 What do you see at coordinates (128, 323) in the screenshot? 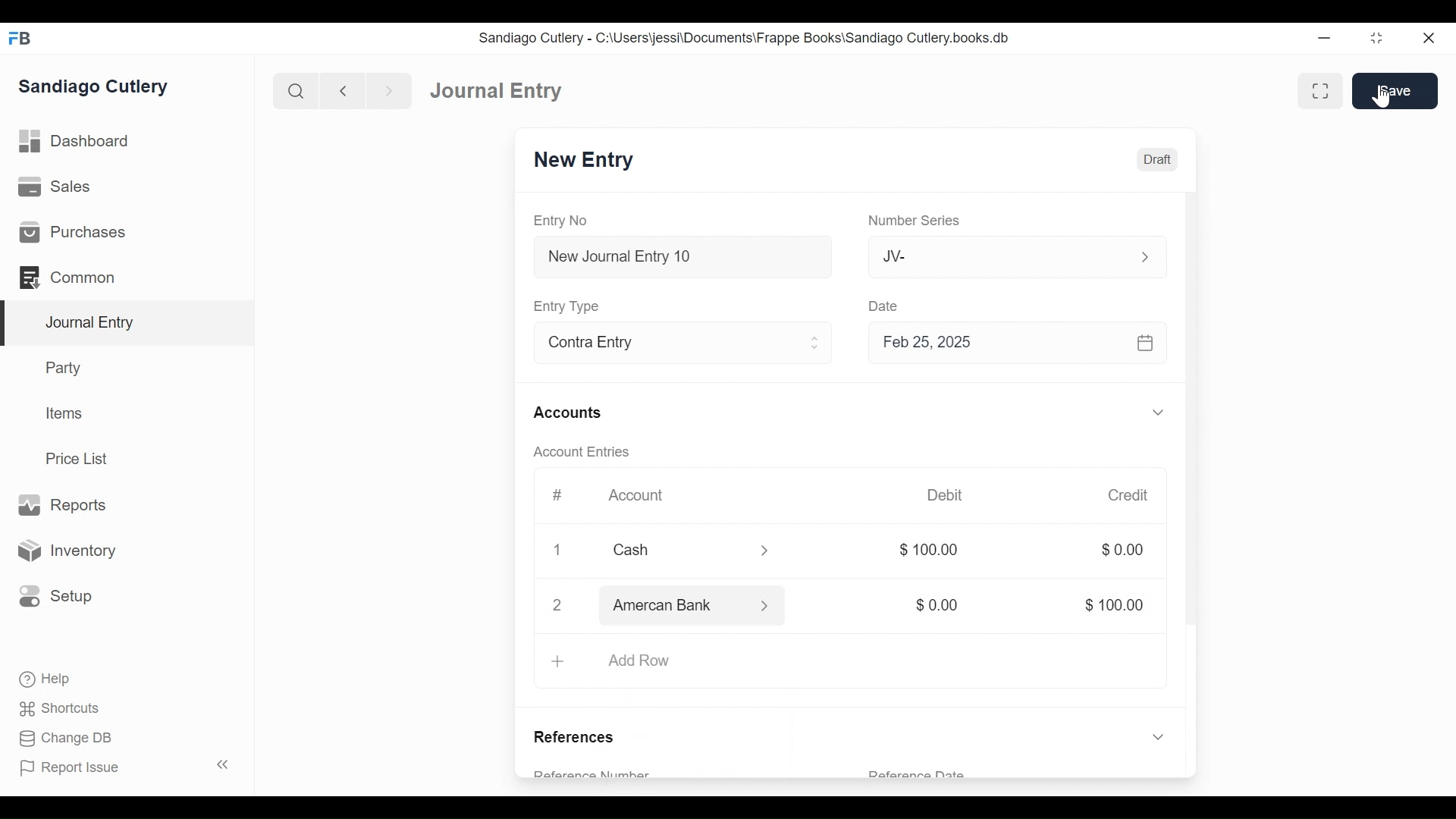
I see `Journal Entry` at bounding box center [128, 323].